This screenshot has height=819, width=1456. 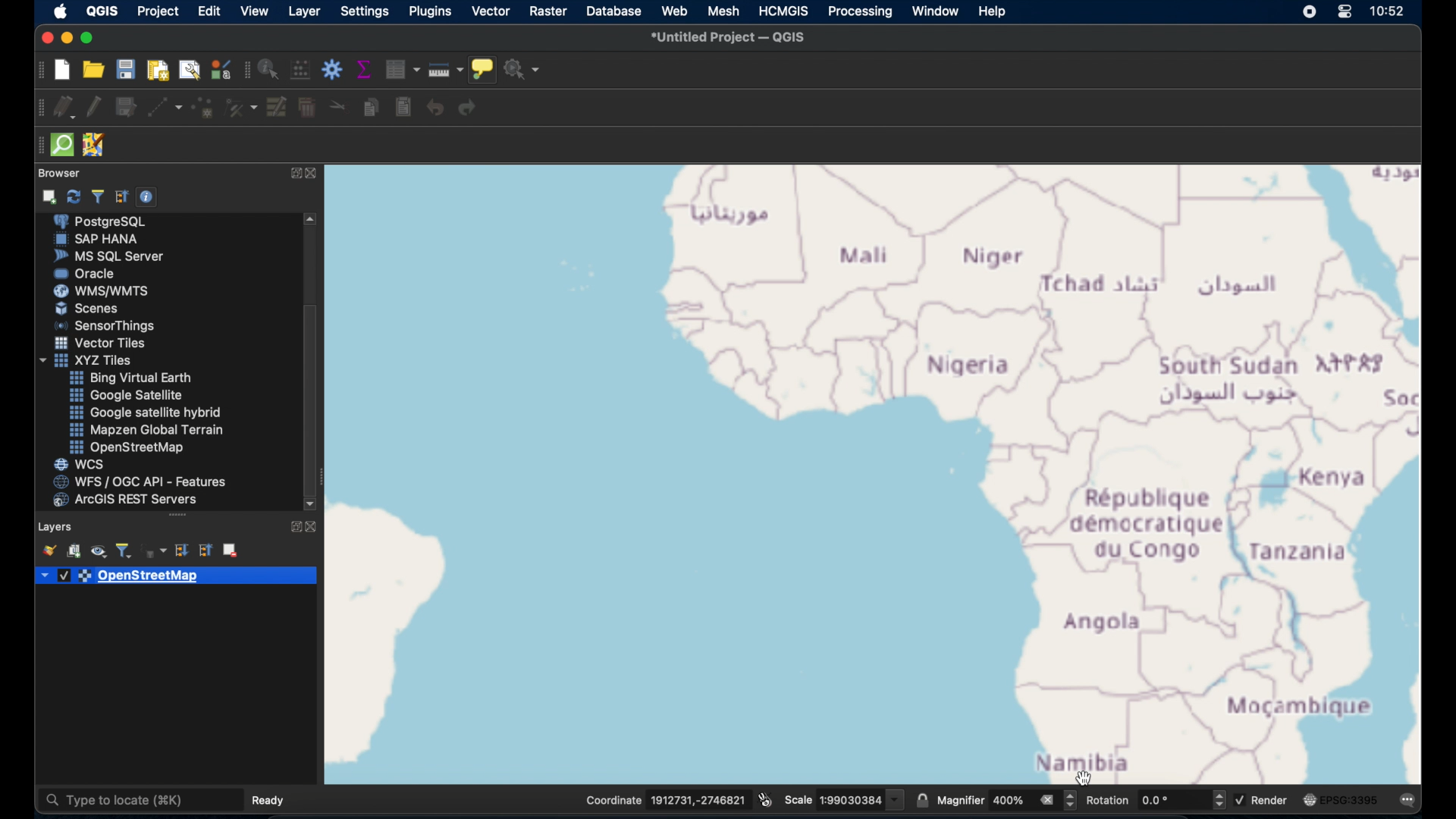 I want to click on postgre sql, so click(x=115, y=221).